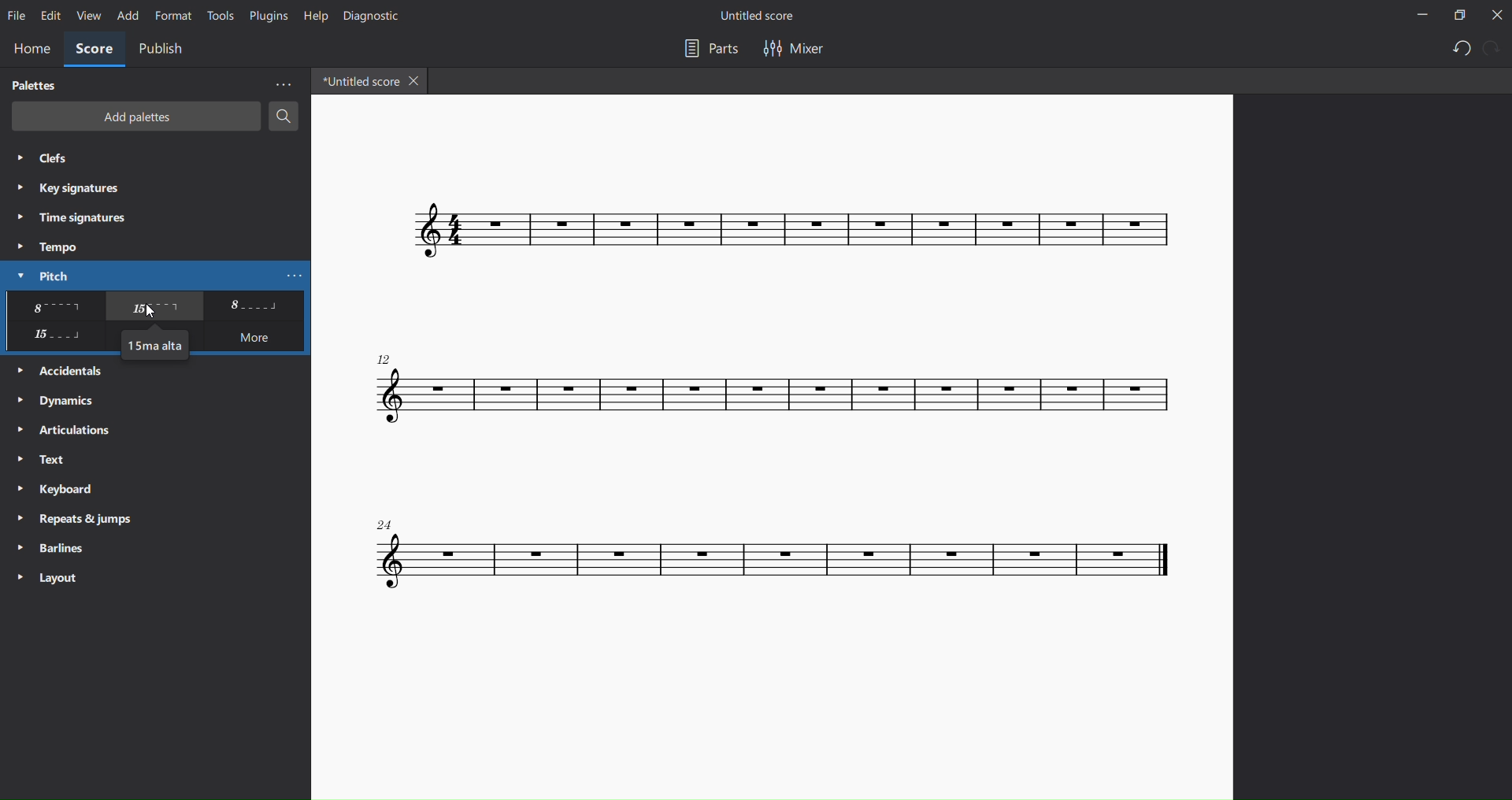 This screenshot has width=1512, height=800. I want to click on pitch, so click(38, 275).